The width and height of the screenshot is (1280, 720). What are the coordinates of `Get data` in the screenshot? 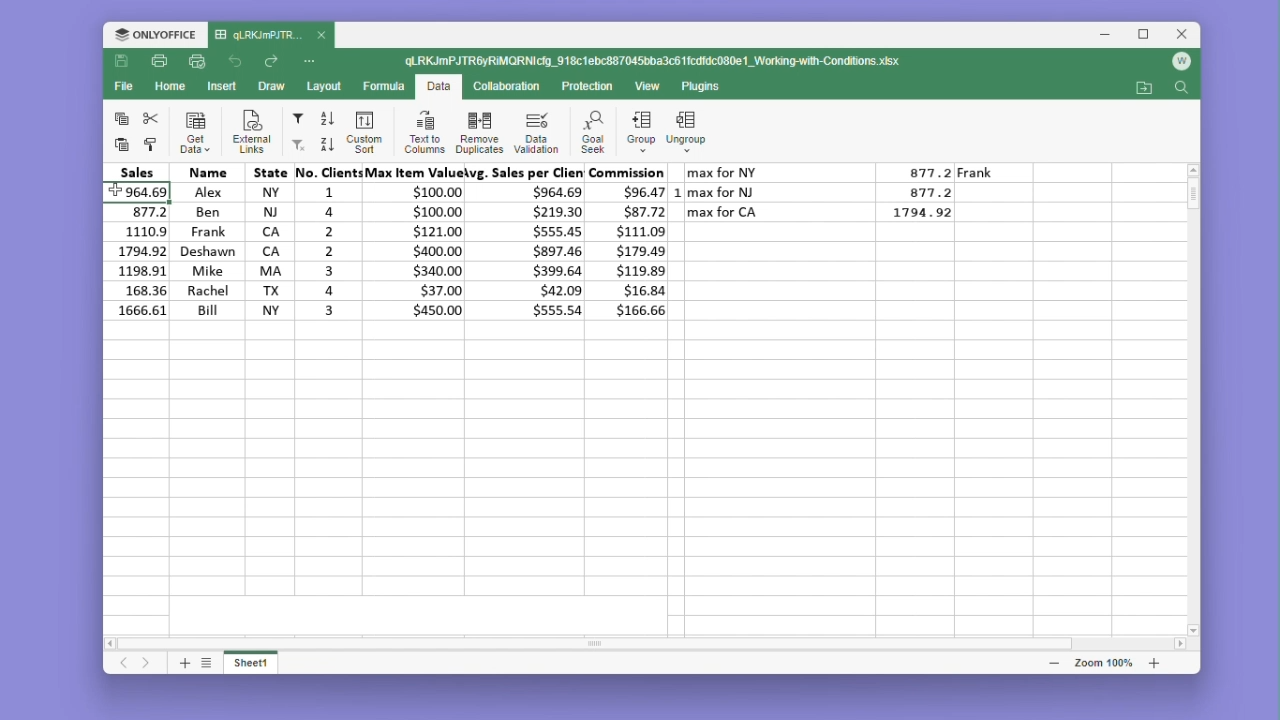 It's located at (196, 132).